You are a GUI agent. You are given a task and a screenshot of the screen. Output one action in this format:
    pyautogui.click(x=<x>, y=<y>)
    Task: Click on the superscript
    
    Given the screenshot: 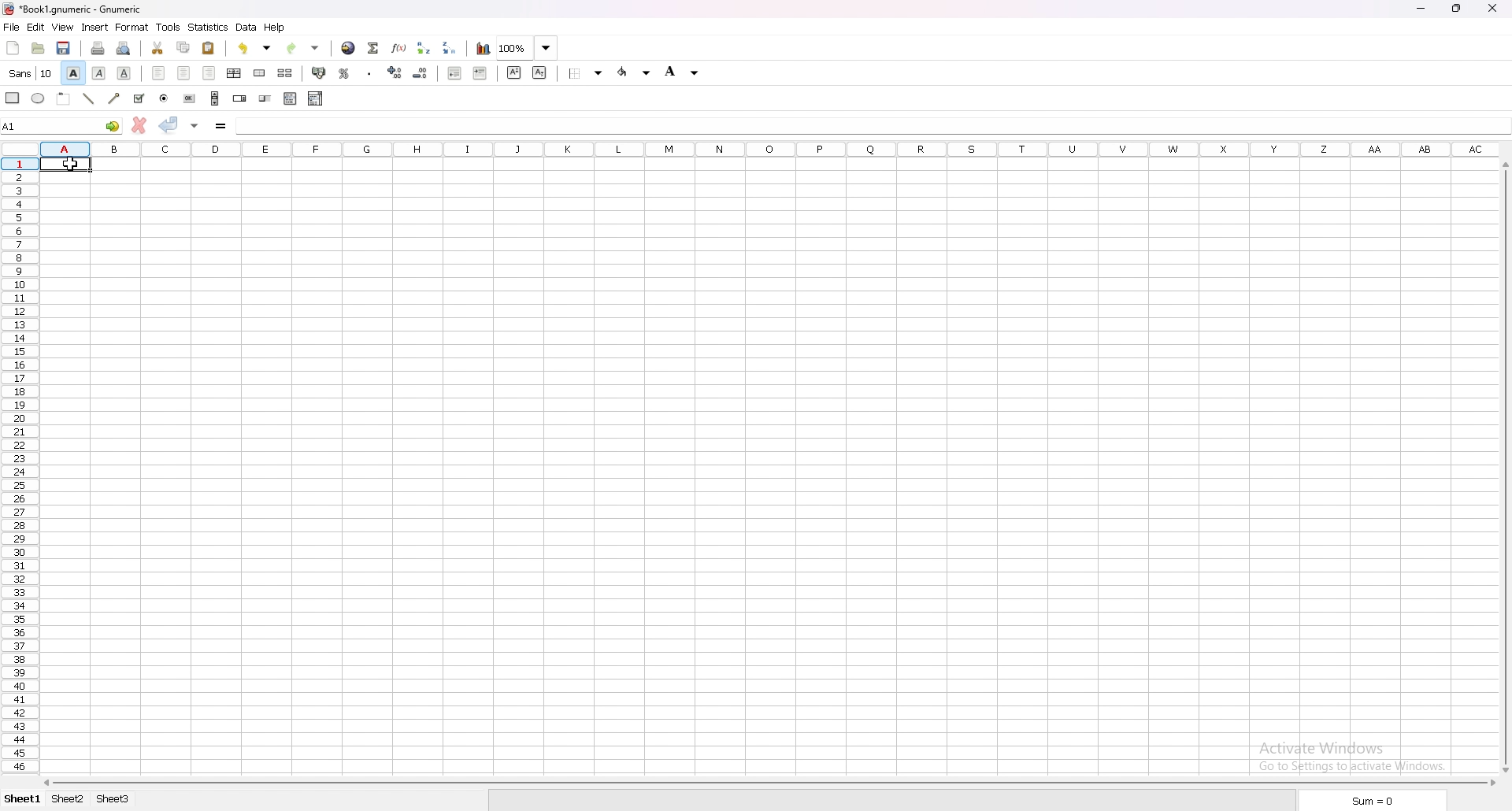 What is the action you would take?
    pyautogui.click(x=515, y=73)
    